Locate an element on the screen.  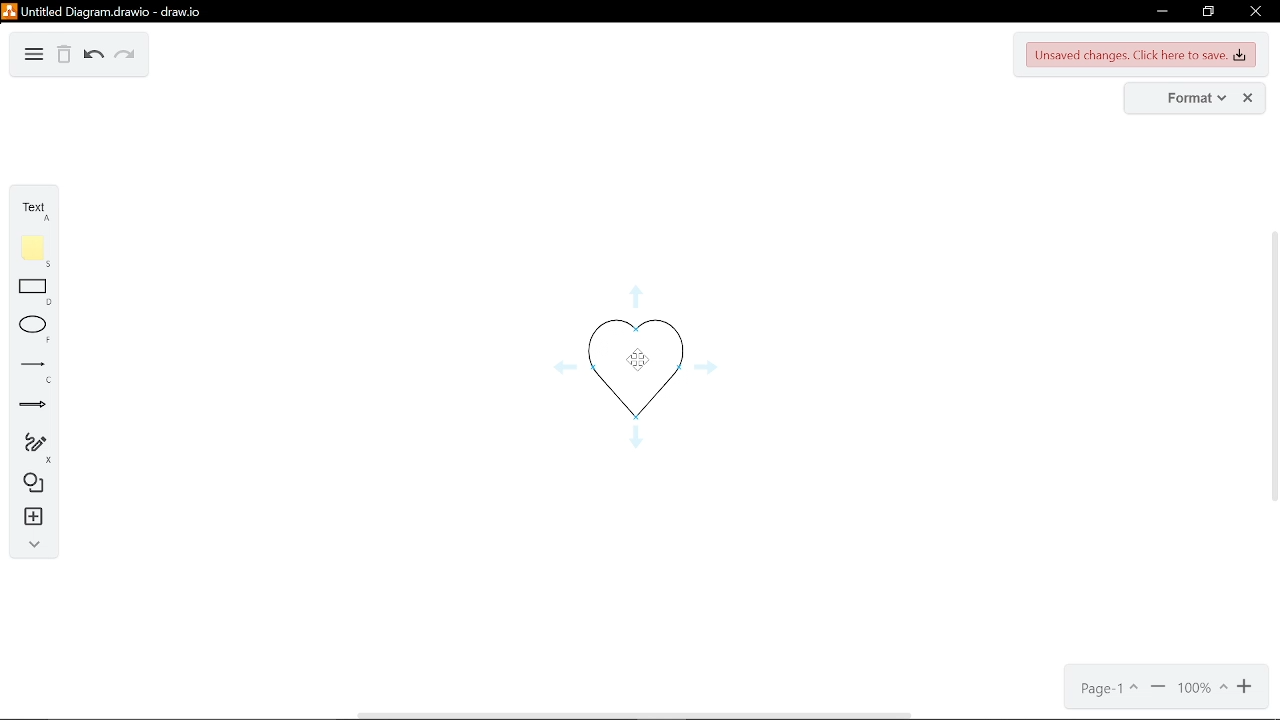
freehand is located at coordinates (32, 448).